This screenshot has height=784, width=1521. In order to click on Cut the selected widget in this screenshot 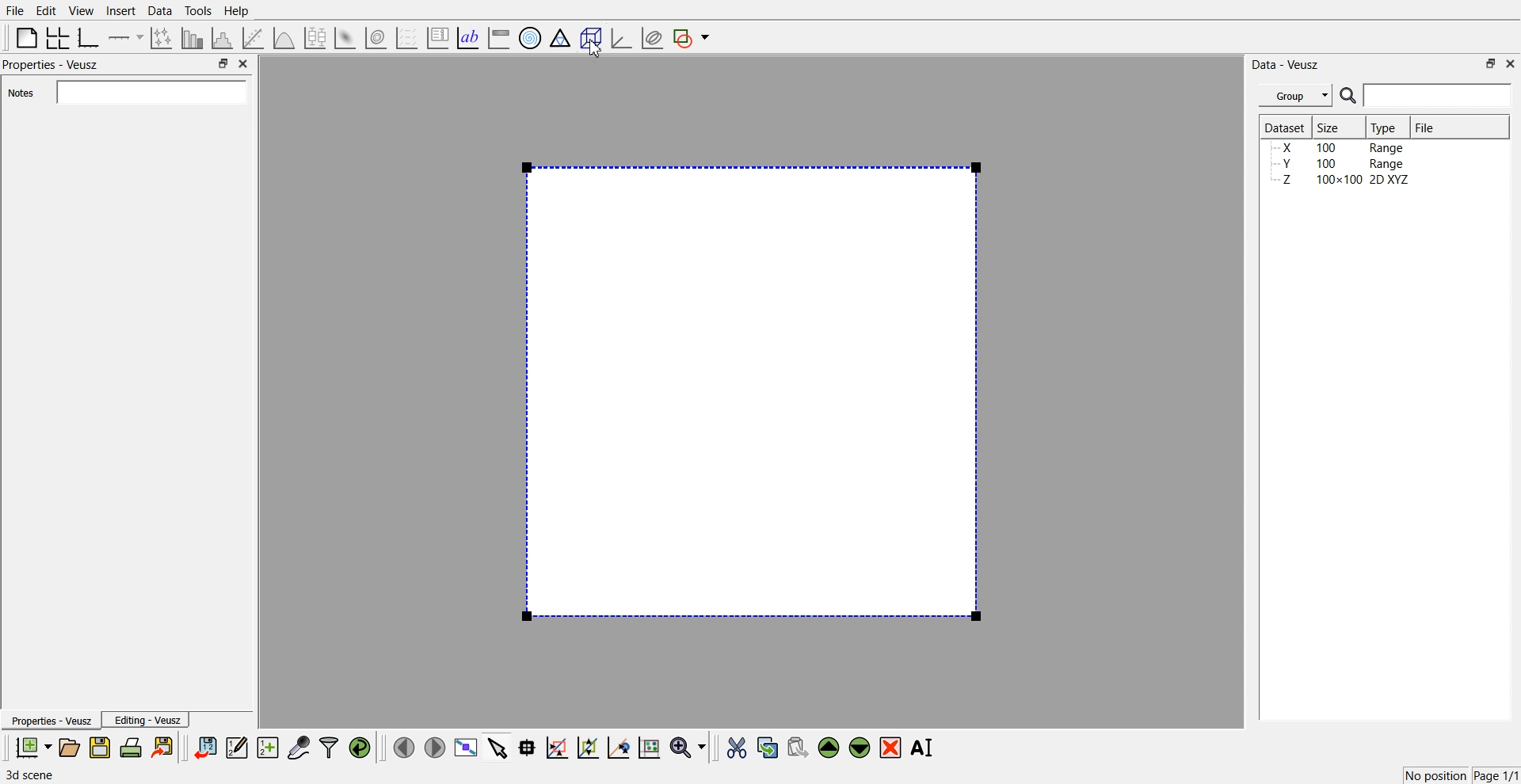, I will do `click(737, 748)`.